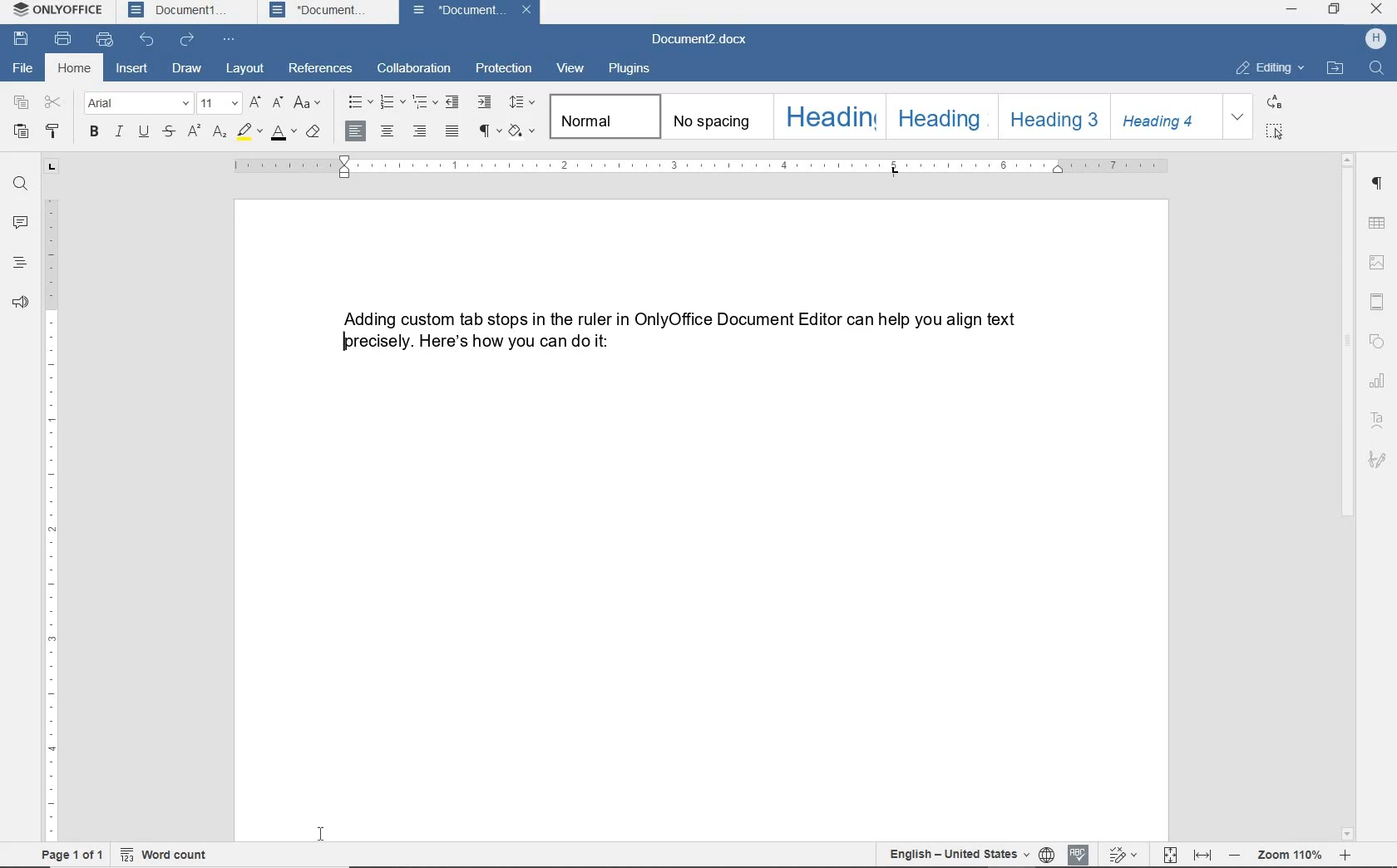 The image size is (1397, 868). What do you see at coordinates (704, 40) in the screenshot?
I see `document name` at bounding box center [704, 40].